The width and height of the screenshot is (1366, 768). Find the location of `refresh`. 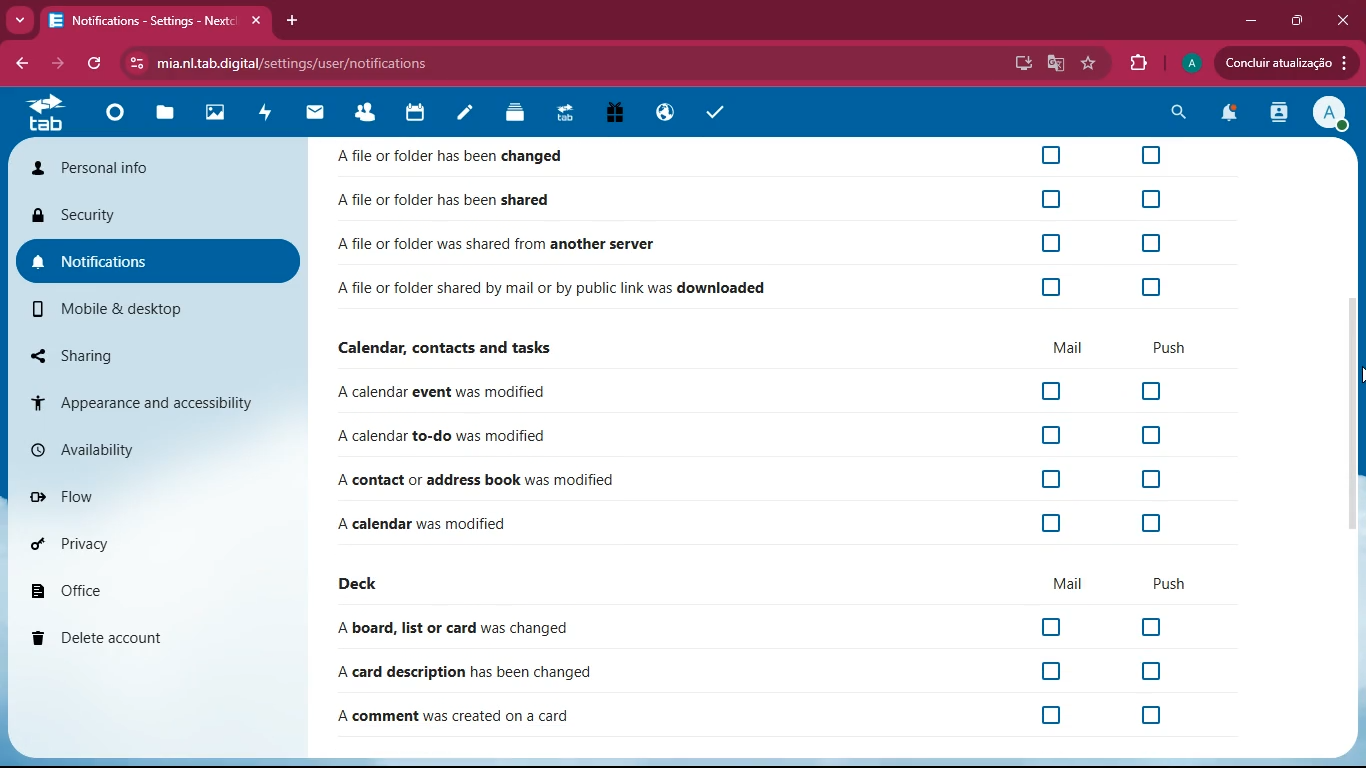

refresh is located at coordinates (98, 64).